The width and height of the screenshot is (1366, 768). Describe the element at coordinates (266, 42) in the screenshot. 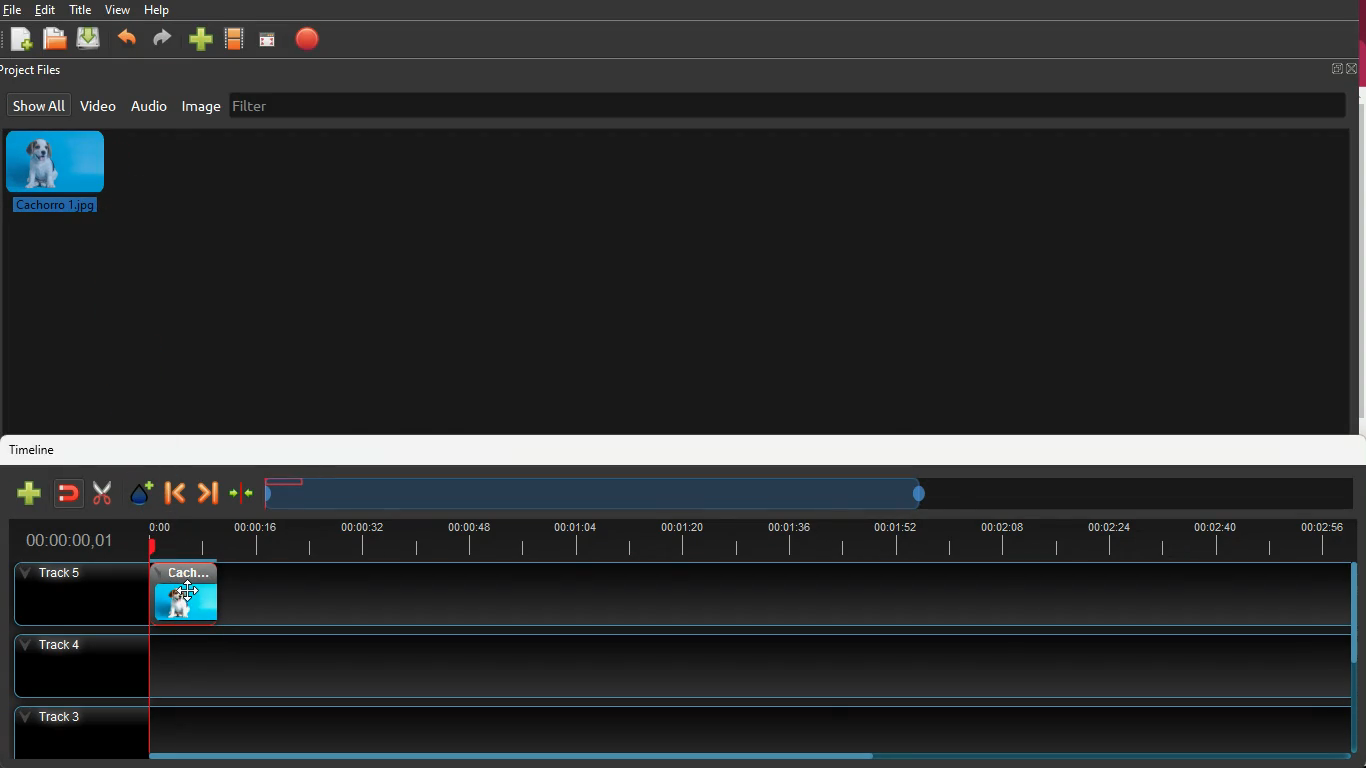

I see `screen` at that location.